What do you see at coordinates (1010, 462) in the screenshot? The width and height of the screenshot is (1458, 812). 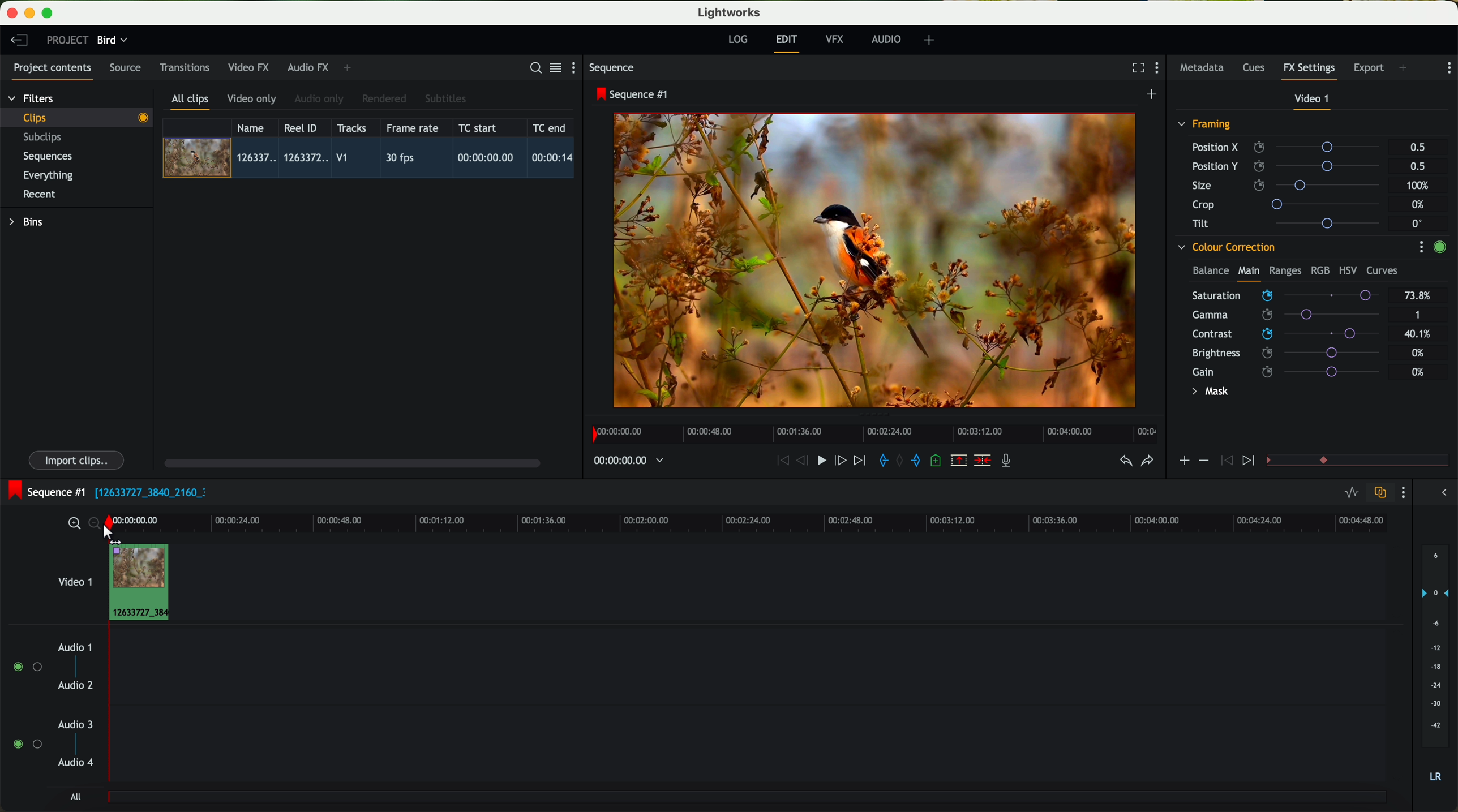 I see `record a voice-over` at bounding box center [1010, 462].